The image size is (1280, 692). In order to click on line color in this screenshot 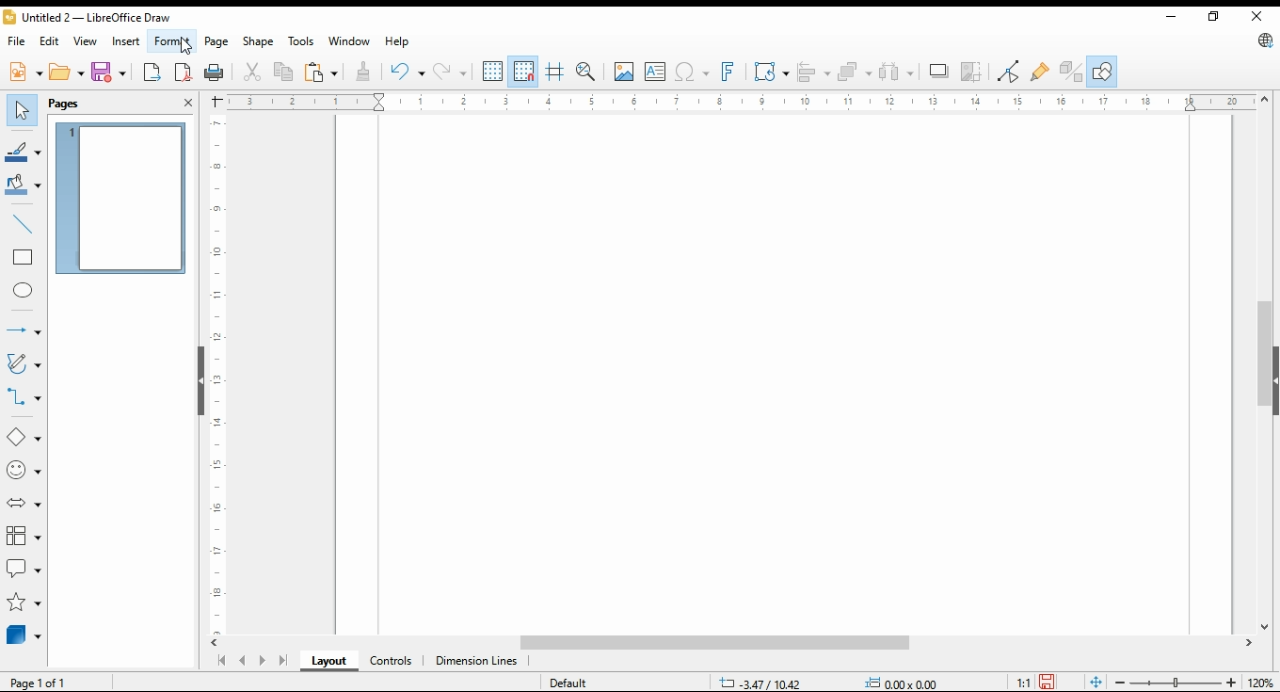, I will do `click(23, 150)`.